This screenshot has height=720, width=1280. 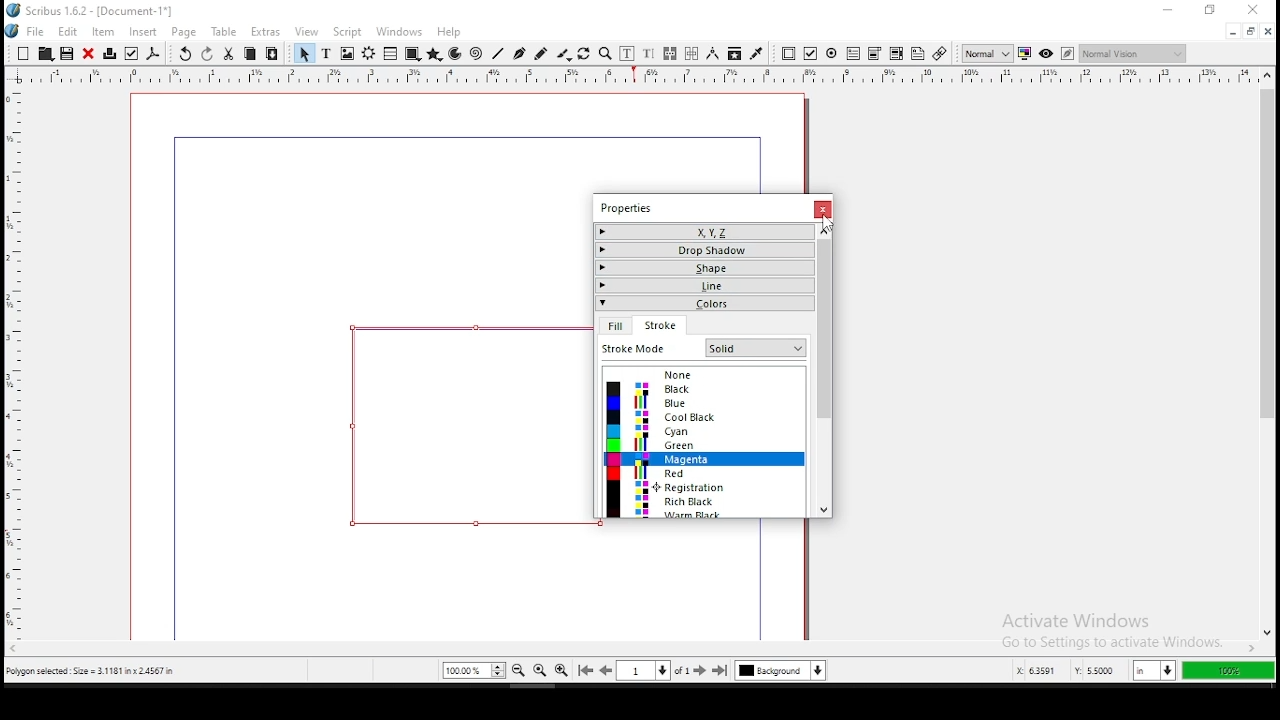 I want to click on black, so click(x=704, y=389).